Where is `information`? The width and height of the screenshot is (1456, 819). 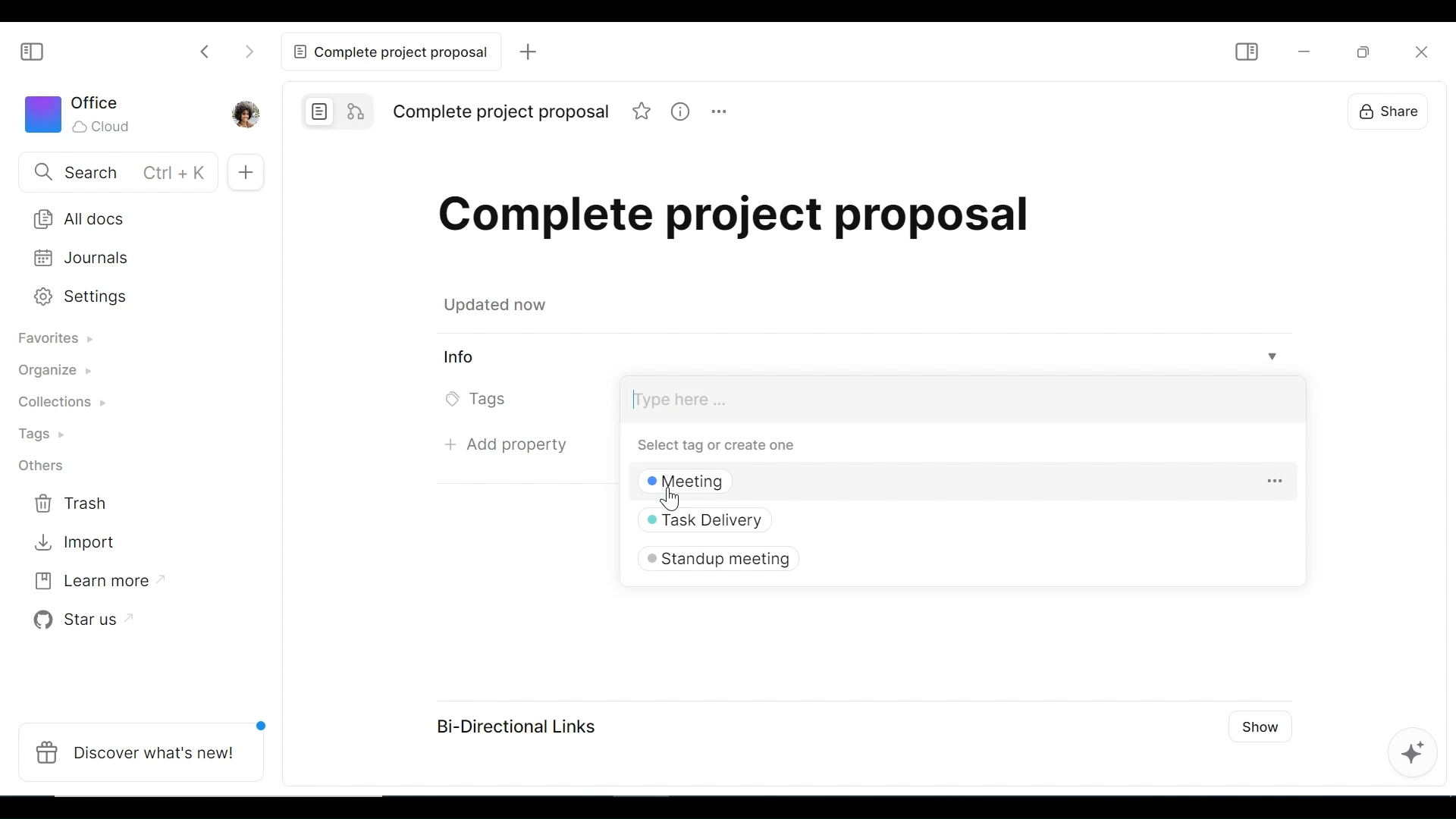
information is located at coordinates (682, 112).